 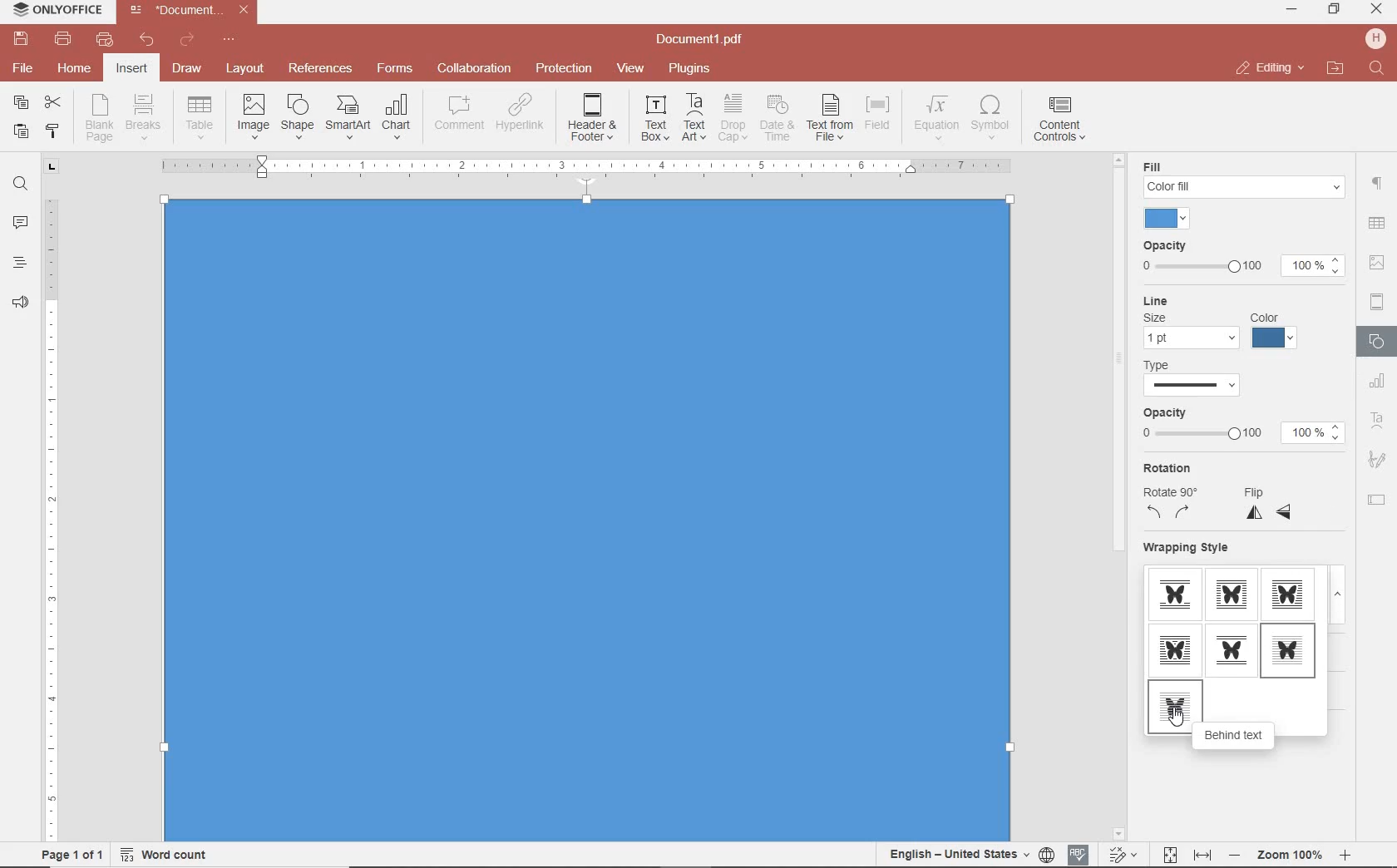 I want to click on , so click(x=585, y=165).